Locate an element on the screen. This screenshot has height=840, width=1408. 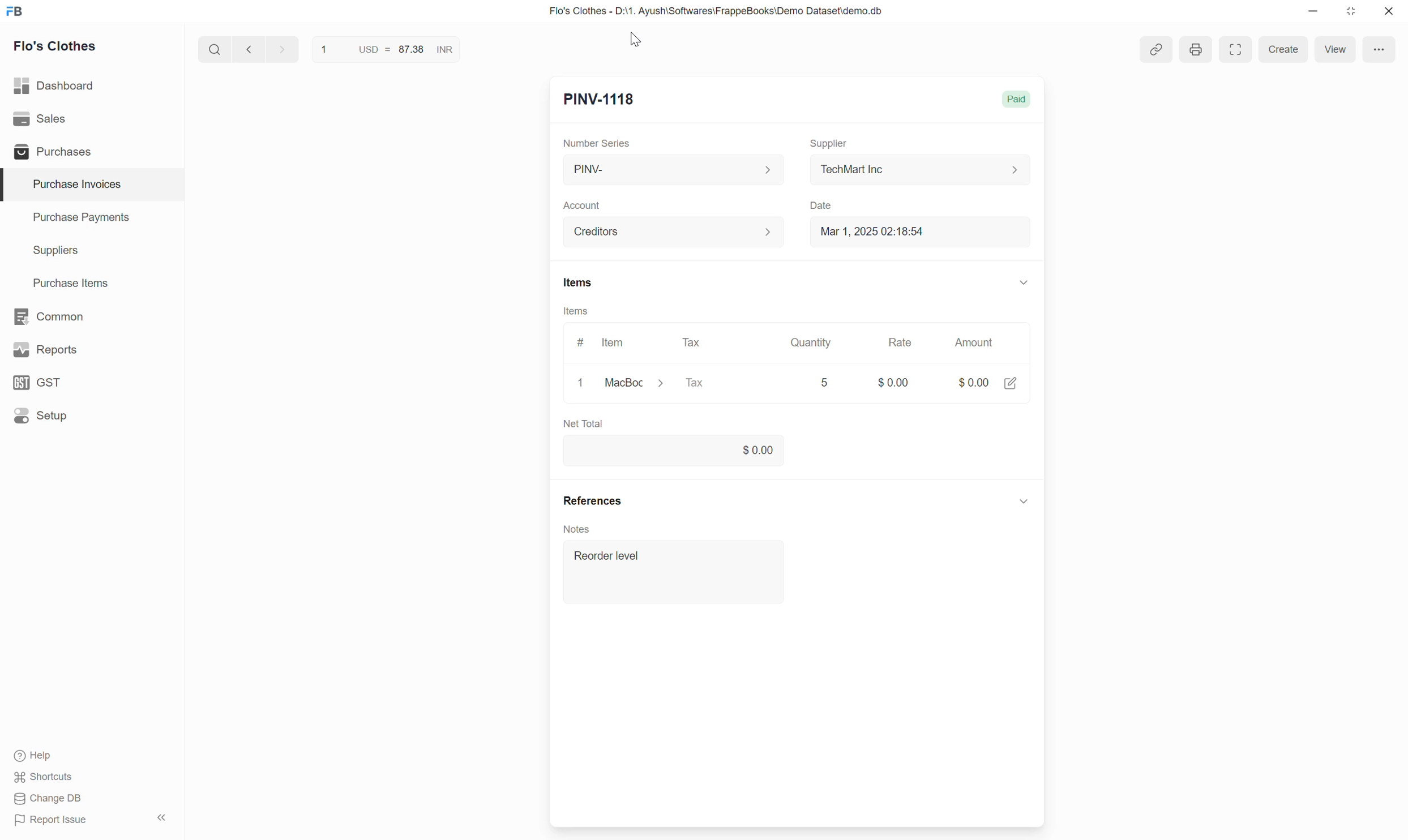
Flo's Clothes - D:\1. Ayush\Softwares\FrappeBooks\Demo Dataset\demo.db is located at coordinates (716, 10).